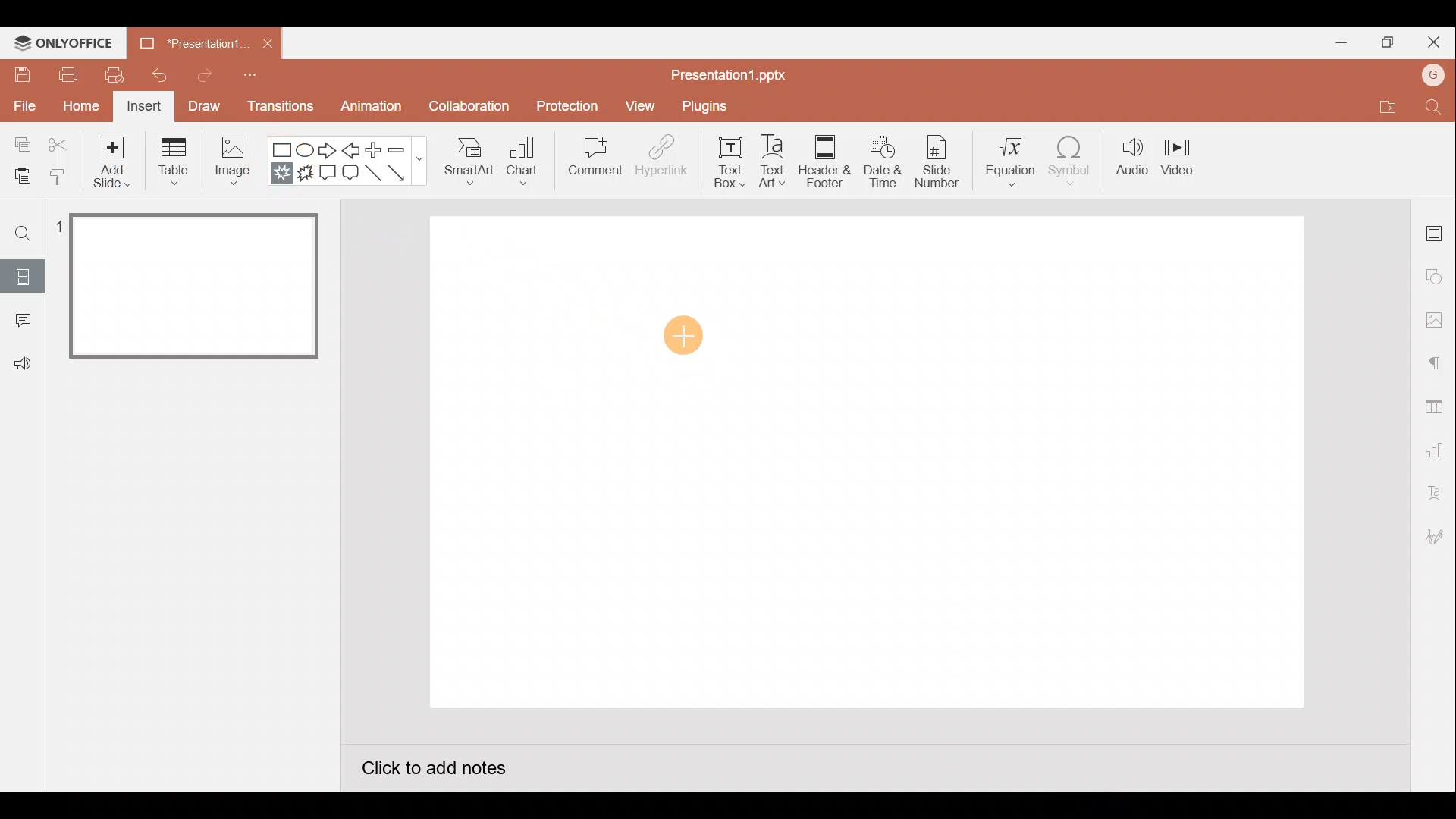 The width and height of the screenshot is (1456, 819). Describe the element at coordinates (267, 43) in the screenshot. I see `Close` at that location.